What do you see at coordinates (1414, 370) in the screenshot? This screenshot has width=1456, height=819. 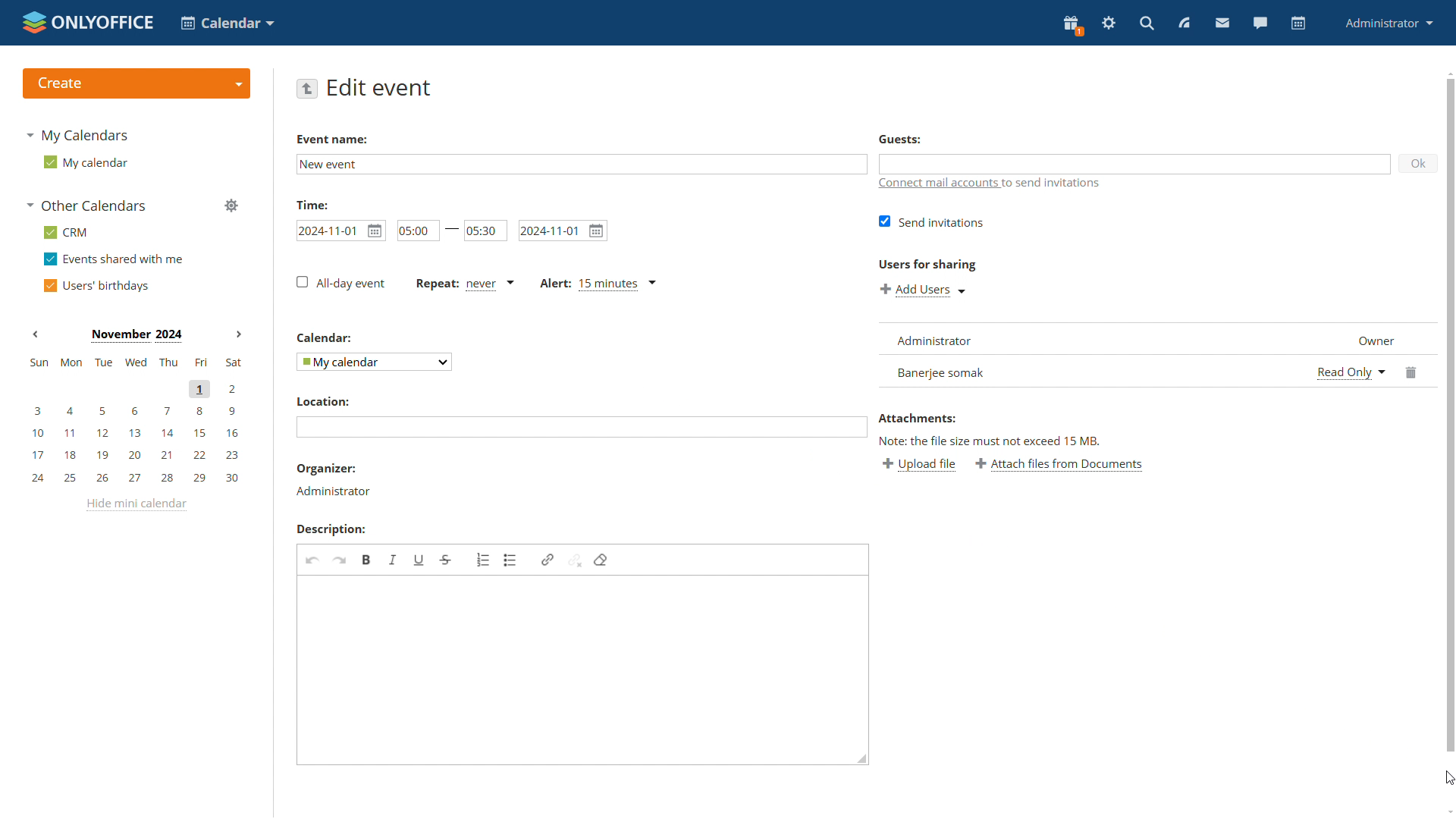 I see `delete` at bounding box center [1414, 370].